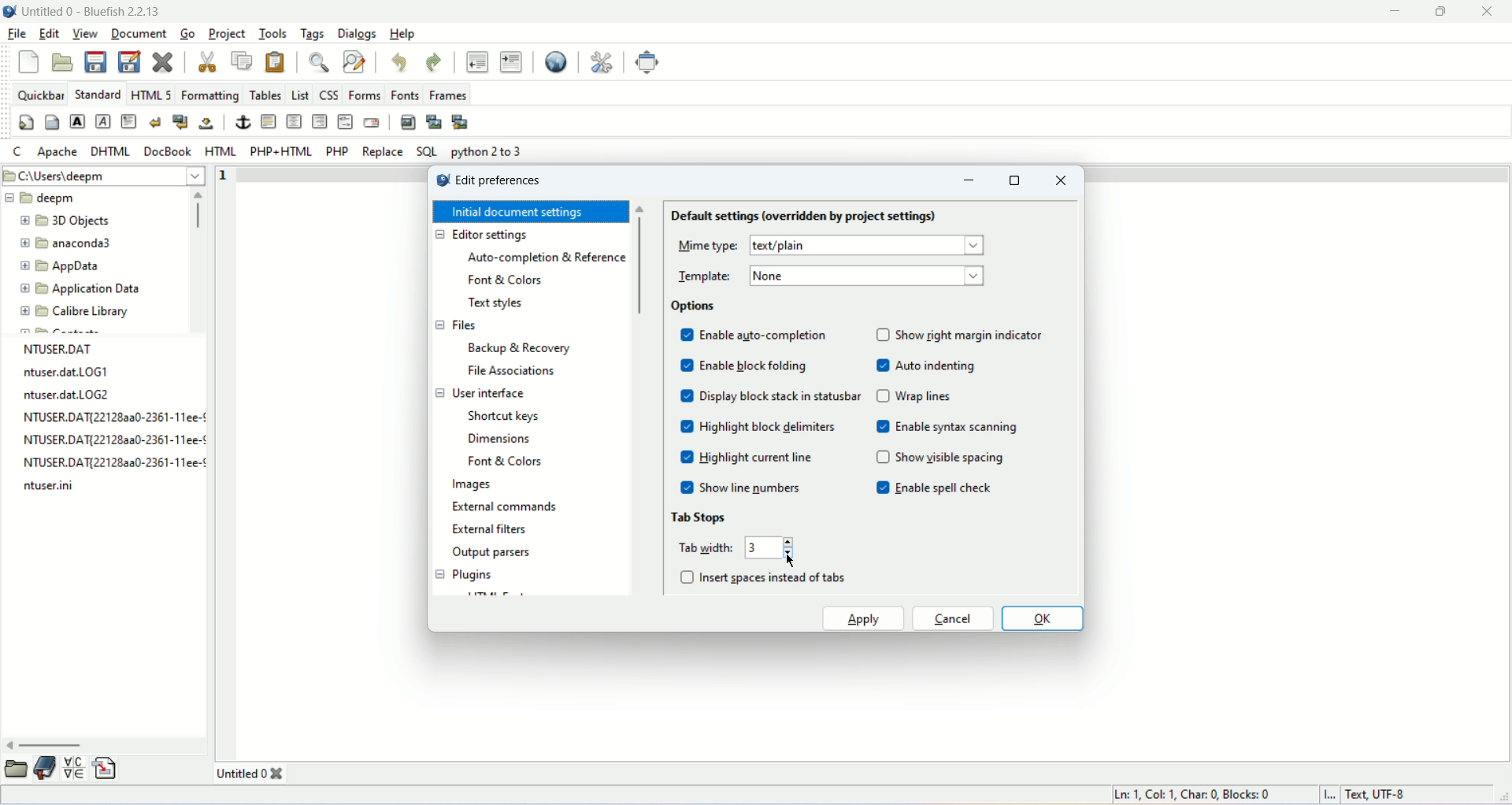 The height and width of the screenshot is (805, 1512). What do you see at coordinates (278, 61) in the screenshot?
I see `paste` at bounding box center [278, 61].